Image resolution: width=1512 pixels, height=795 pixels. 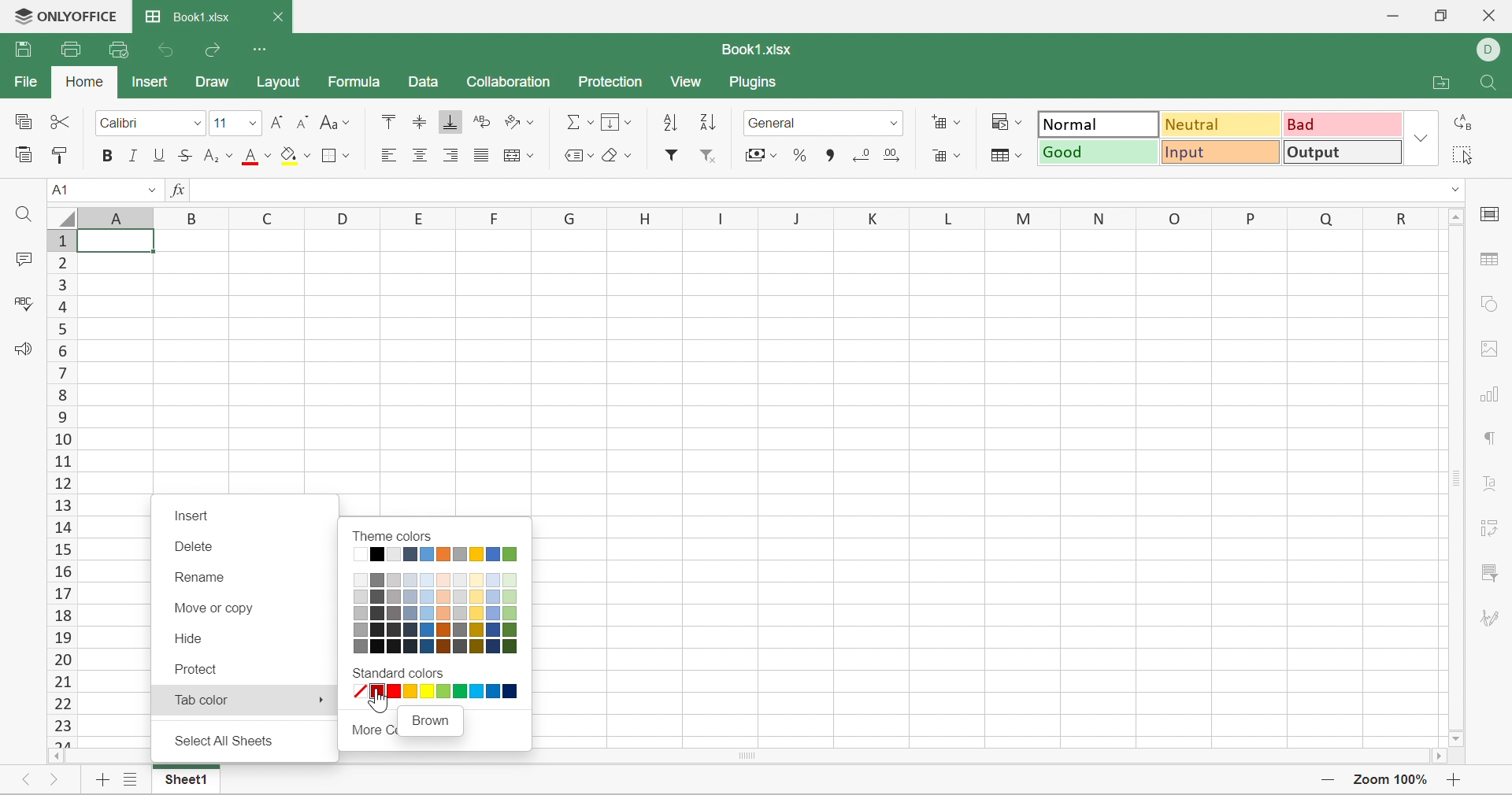 I want to click on Theme colors, so click(x=390, y=534).